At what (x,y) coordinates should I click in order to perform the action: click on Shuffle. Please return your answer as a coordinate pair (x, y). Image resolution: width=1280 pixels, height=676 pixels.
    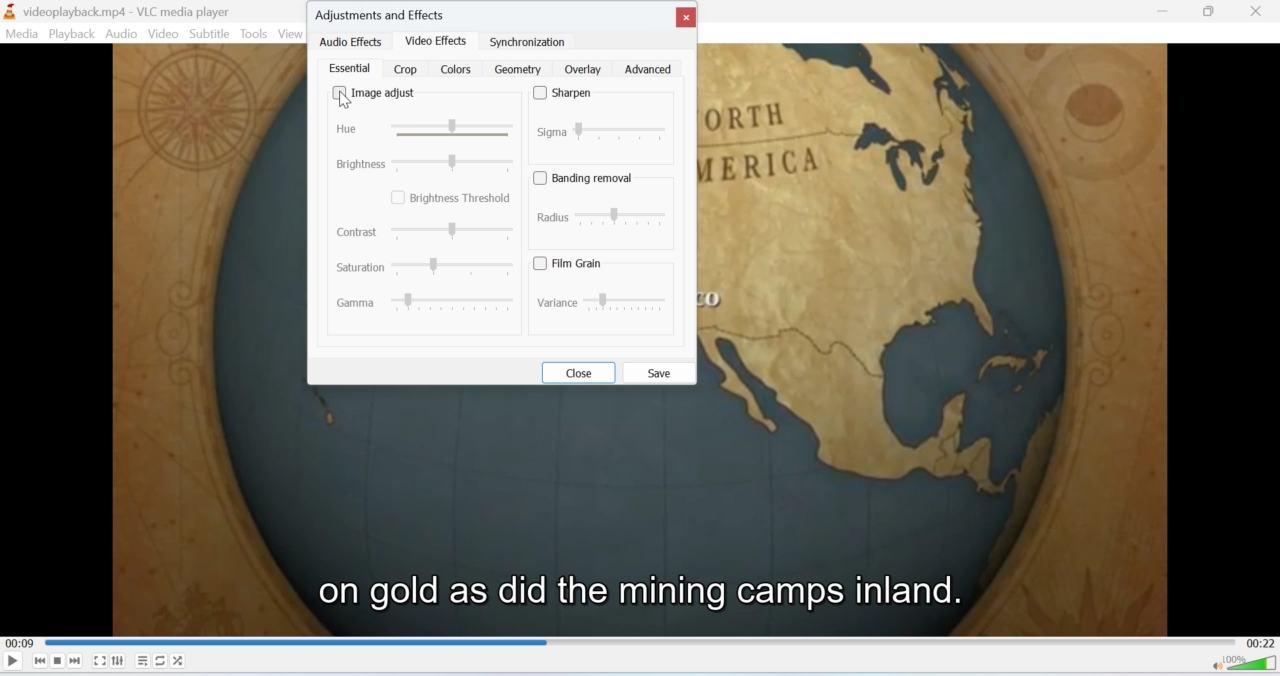
    Looking at the image, I should click on (178, 661).